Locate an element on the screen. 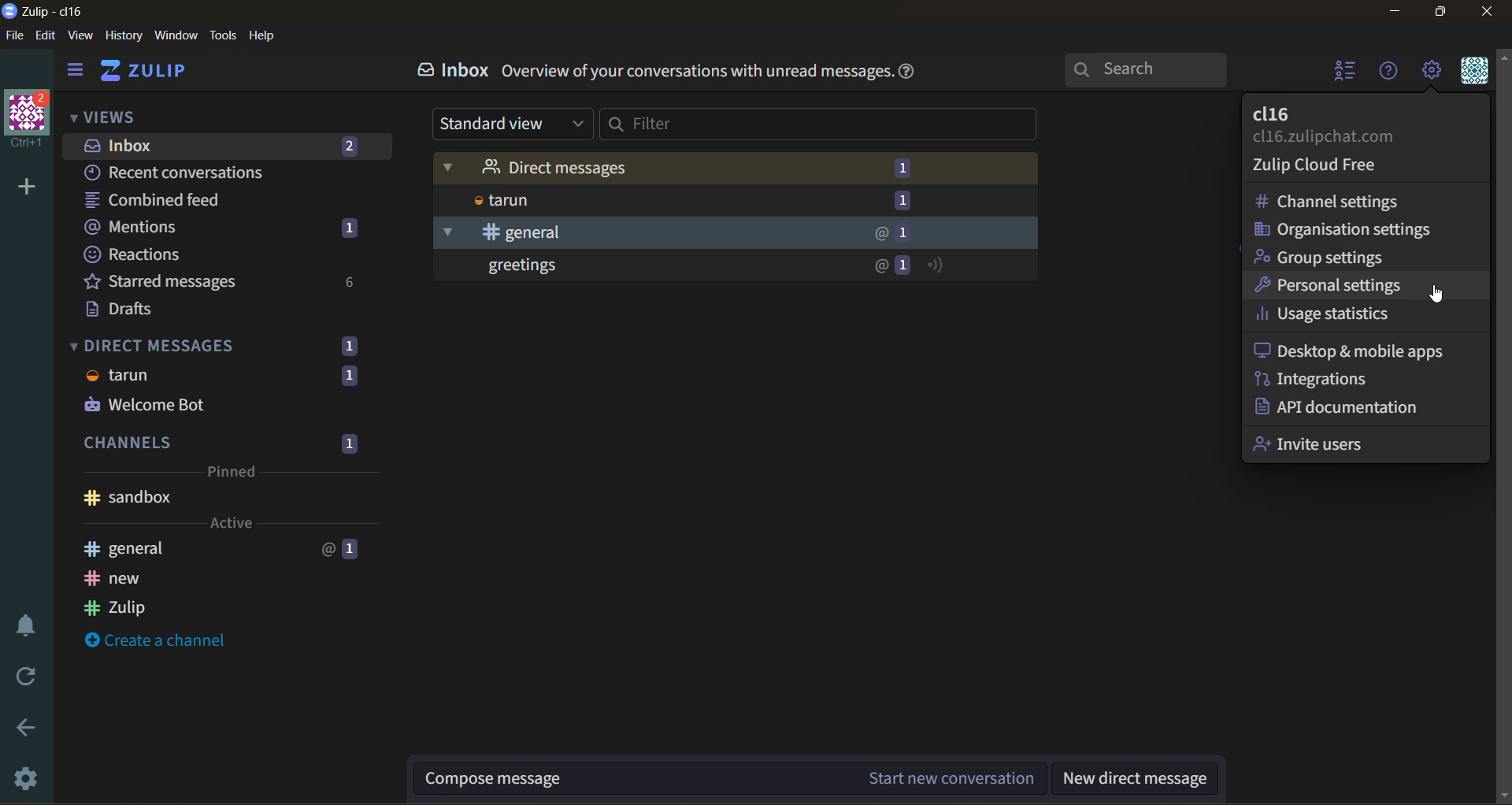 This screenshot has height=805, width=1512. history is located at coordinates (122, 37).